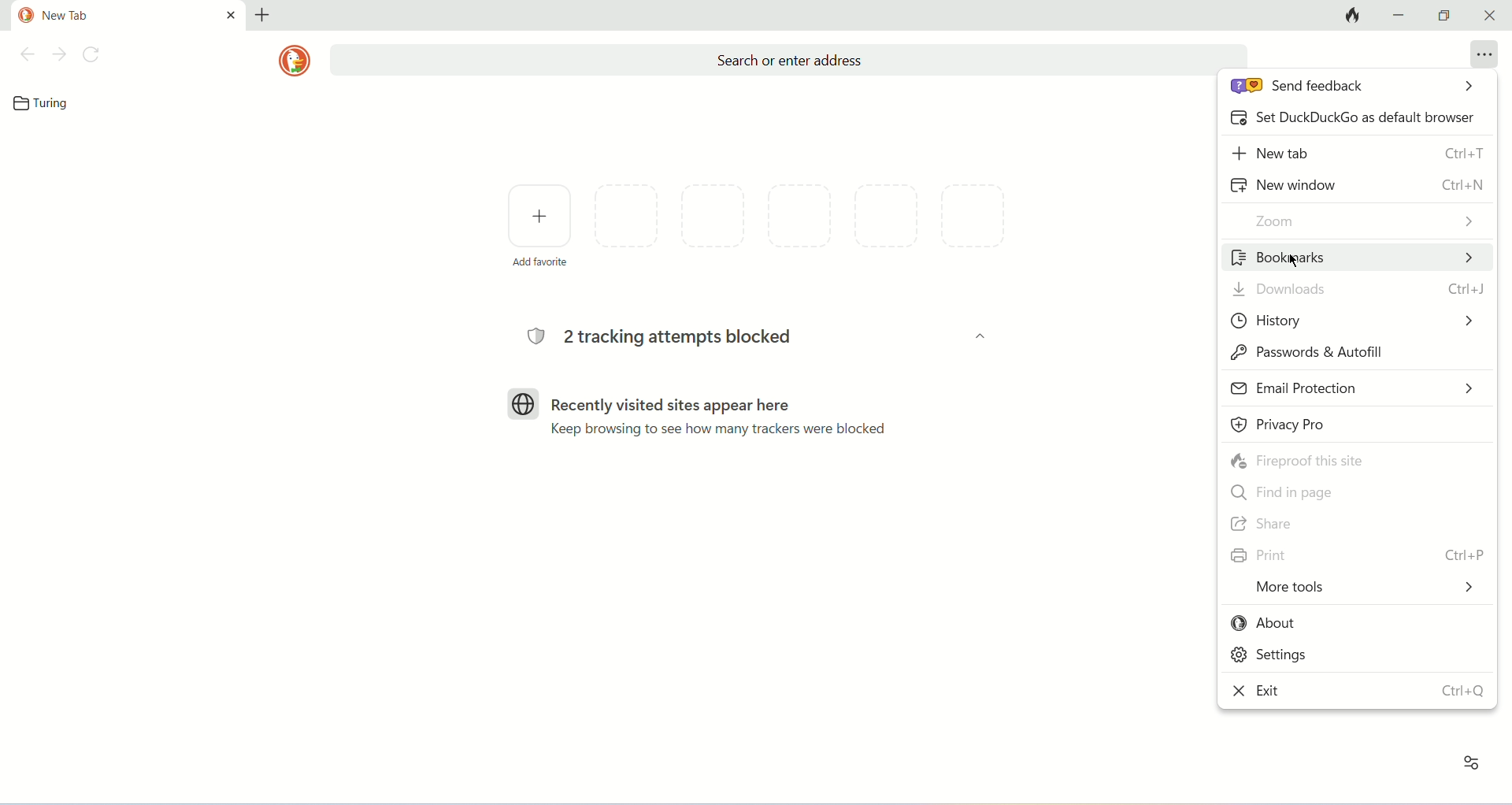 This screenshot has width=1512, height=805. What do you see at coordinates (1357, 692) in the screenshot?
I see `exit` at bounding box center [1357, 692].